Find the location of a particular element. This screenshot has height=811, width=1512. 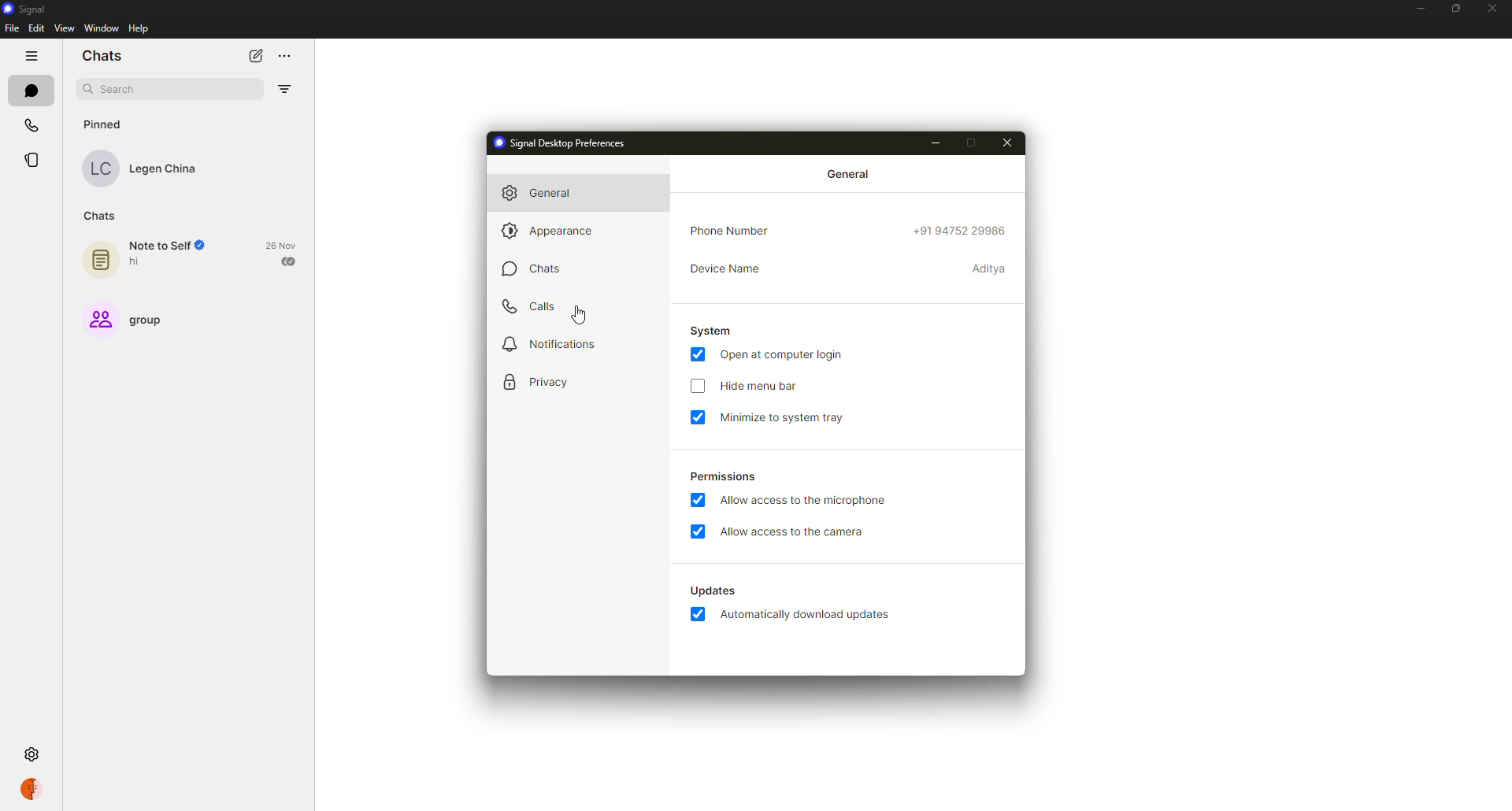

help is located at coordinates (139, 29).